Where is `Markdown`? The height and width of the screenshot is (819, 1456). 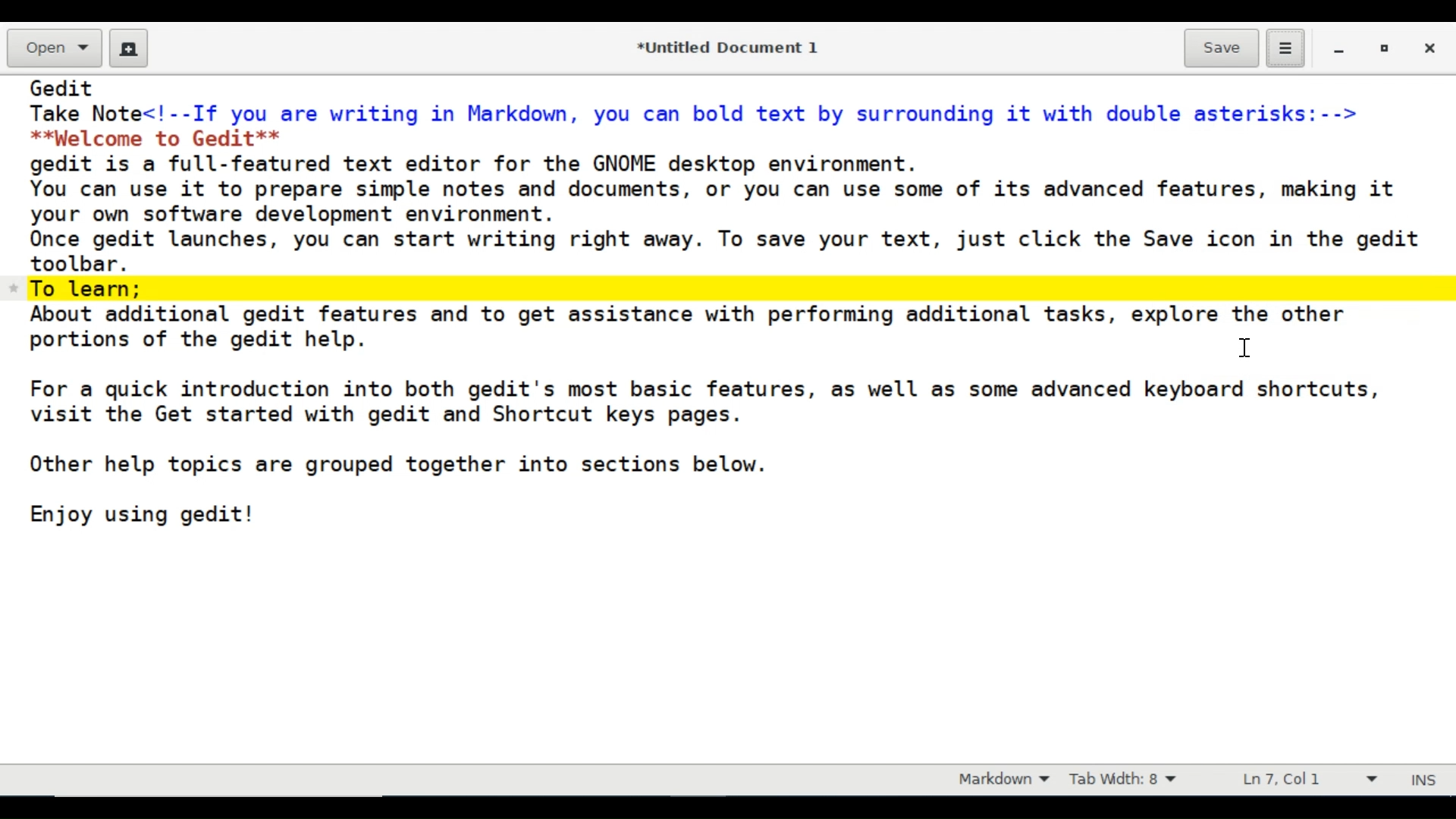 Markdown is located at coordinates (999, 780).